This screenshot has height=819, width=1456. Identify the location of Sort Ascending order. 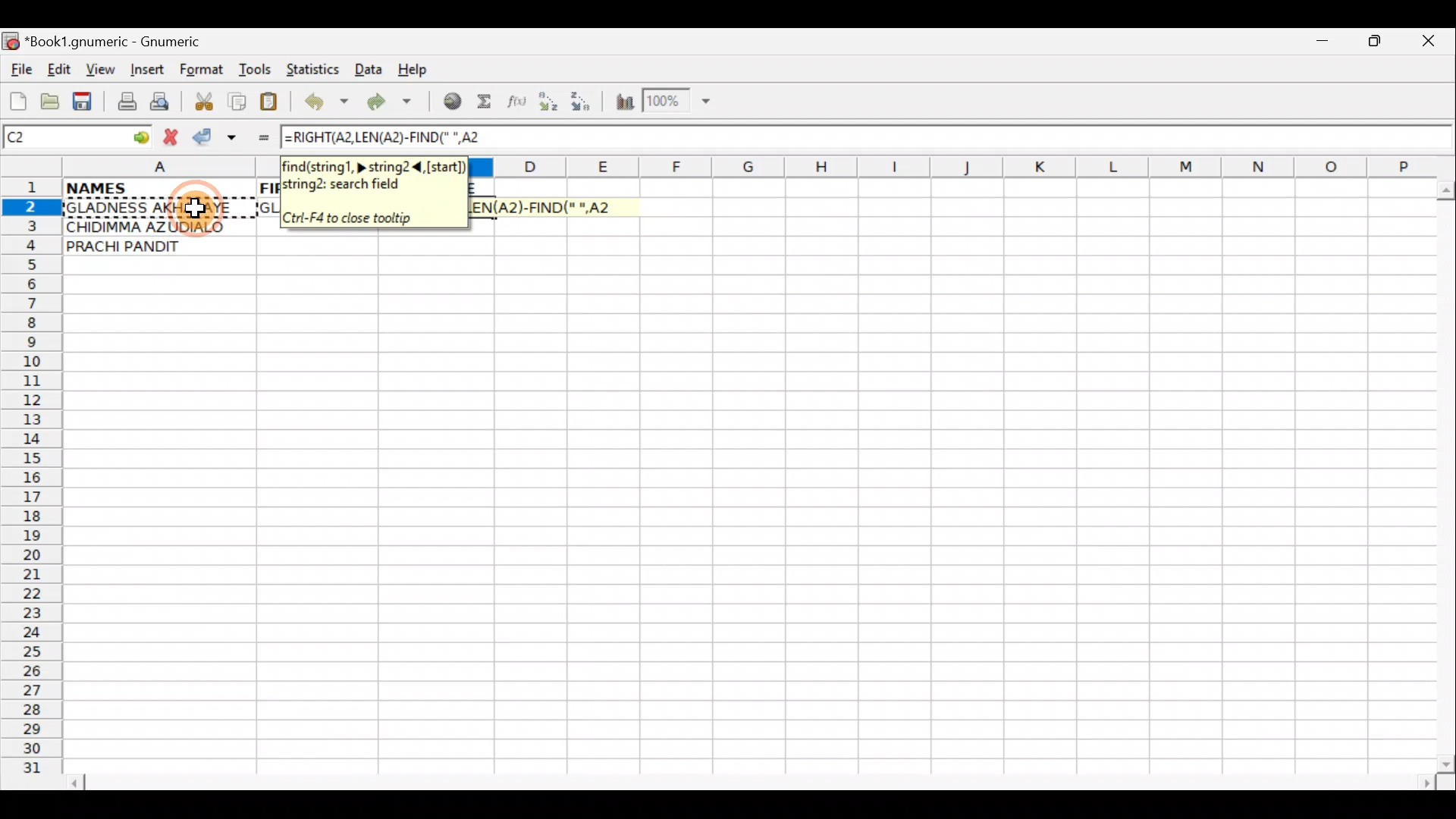
(553, 105).